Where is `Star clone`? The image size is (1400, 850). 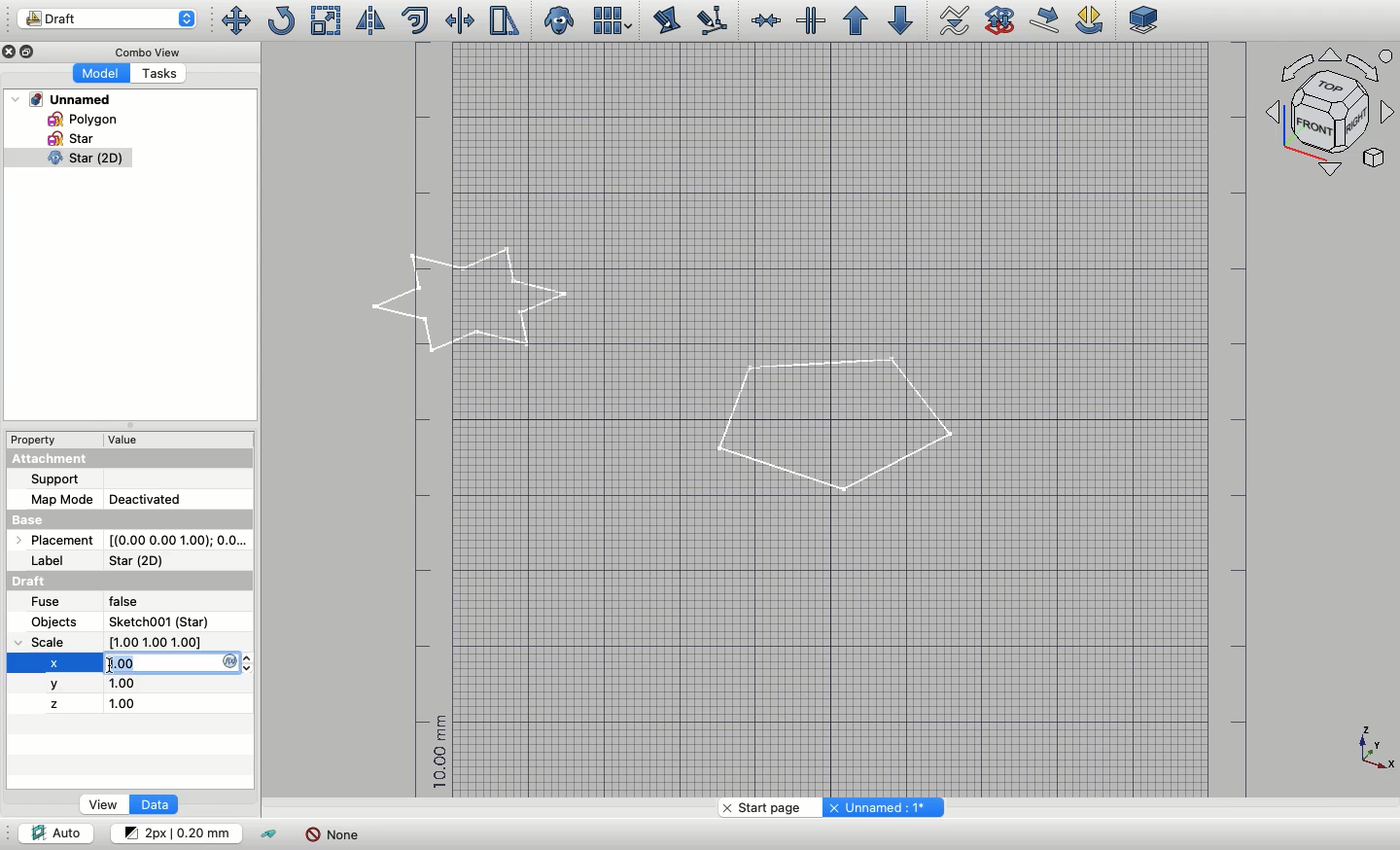
Star clone is located at coordinates (66, 159).